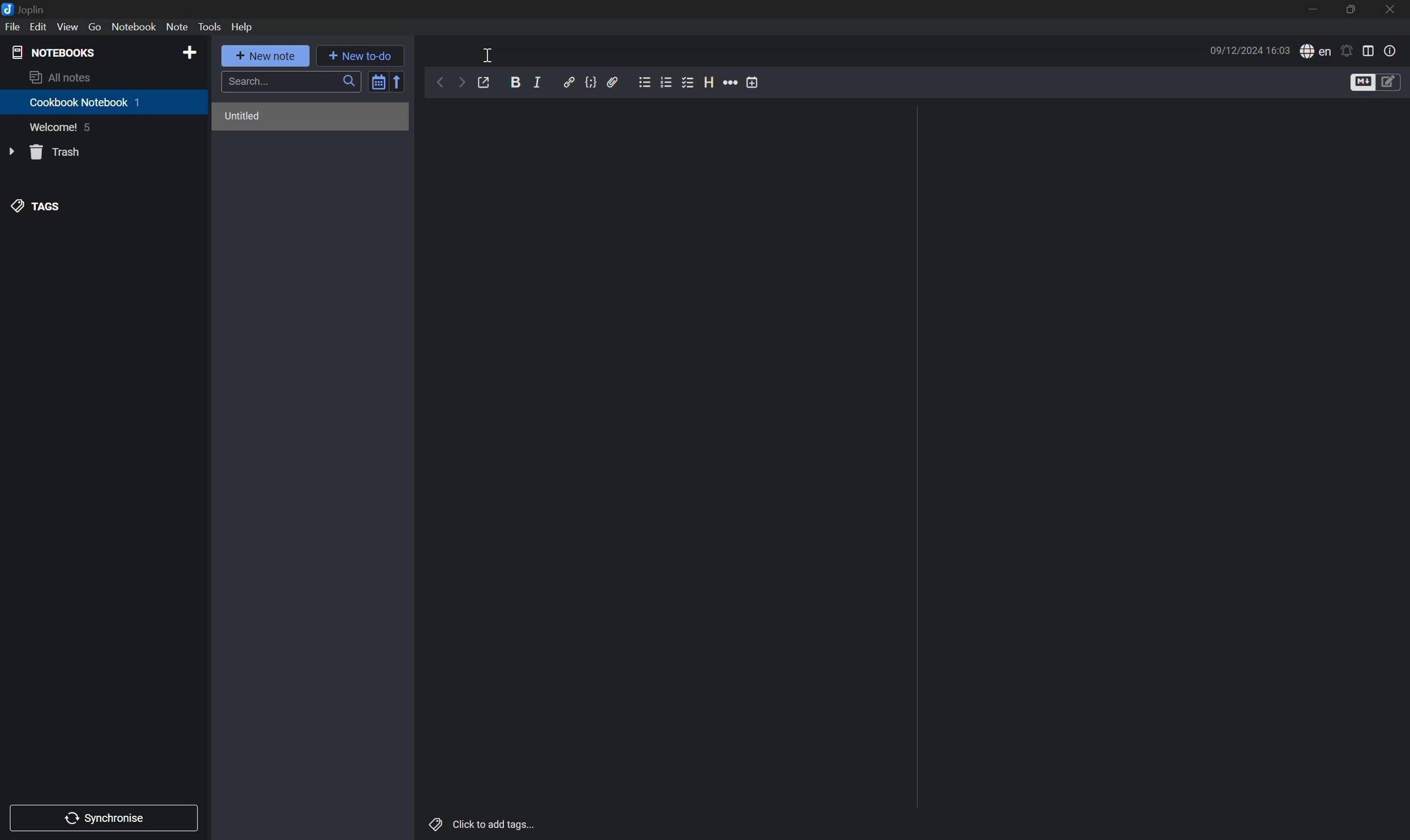 The width and height of the screenshot is (1410, 840). What do you see at coordinates (25, 8) in the screenshot?
I see `Joplin` at bounding box center [25, 8].